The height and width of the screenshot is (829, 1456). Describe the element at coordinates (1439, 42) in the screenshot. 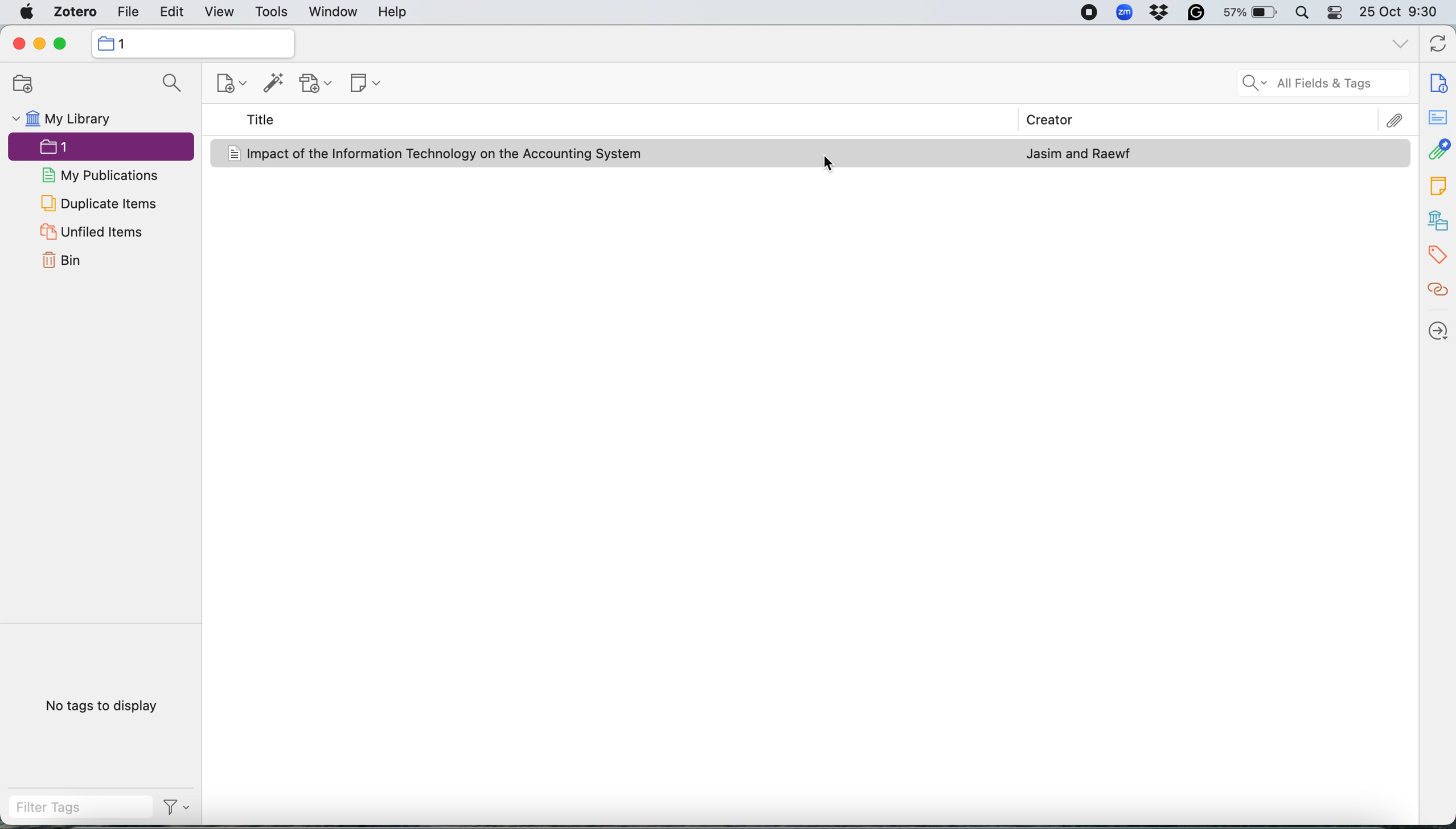

I see `sync with zotero.org` at that location.